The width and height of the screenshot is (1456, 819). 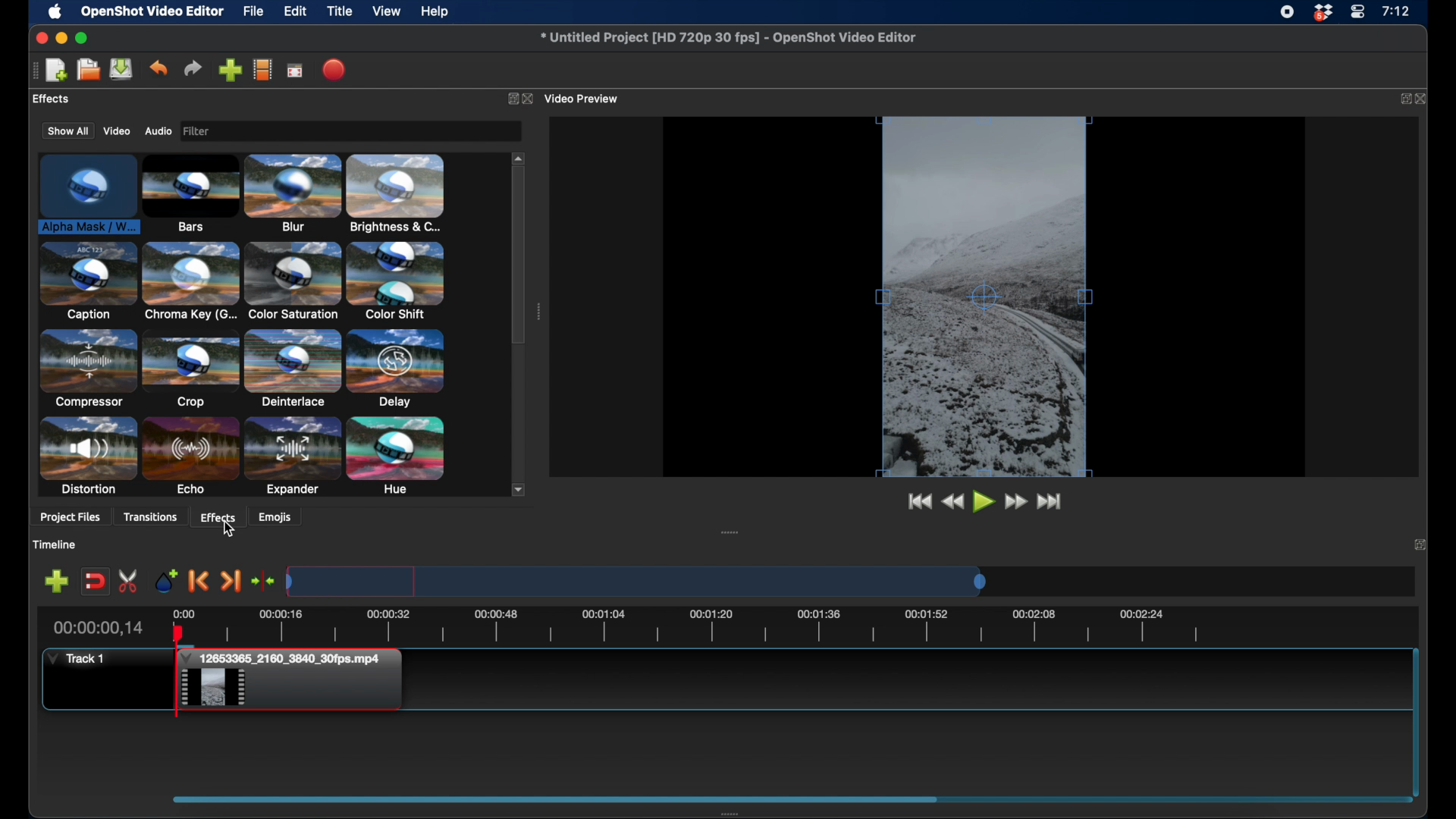 What do you see at coordinates (229, 528) in the screenshot?
I see `Cursor` at bounding box center [229, 528].